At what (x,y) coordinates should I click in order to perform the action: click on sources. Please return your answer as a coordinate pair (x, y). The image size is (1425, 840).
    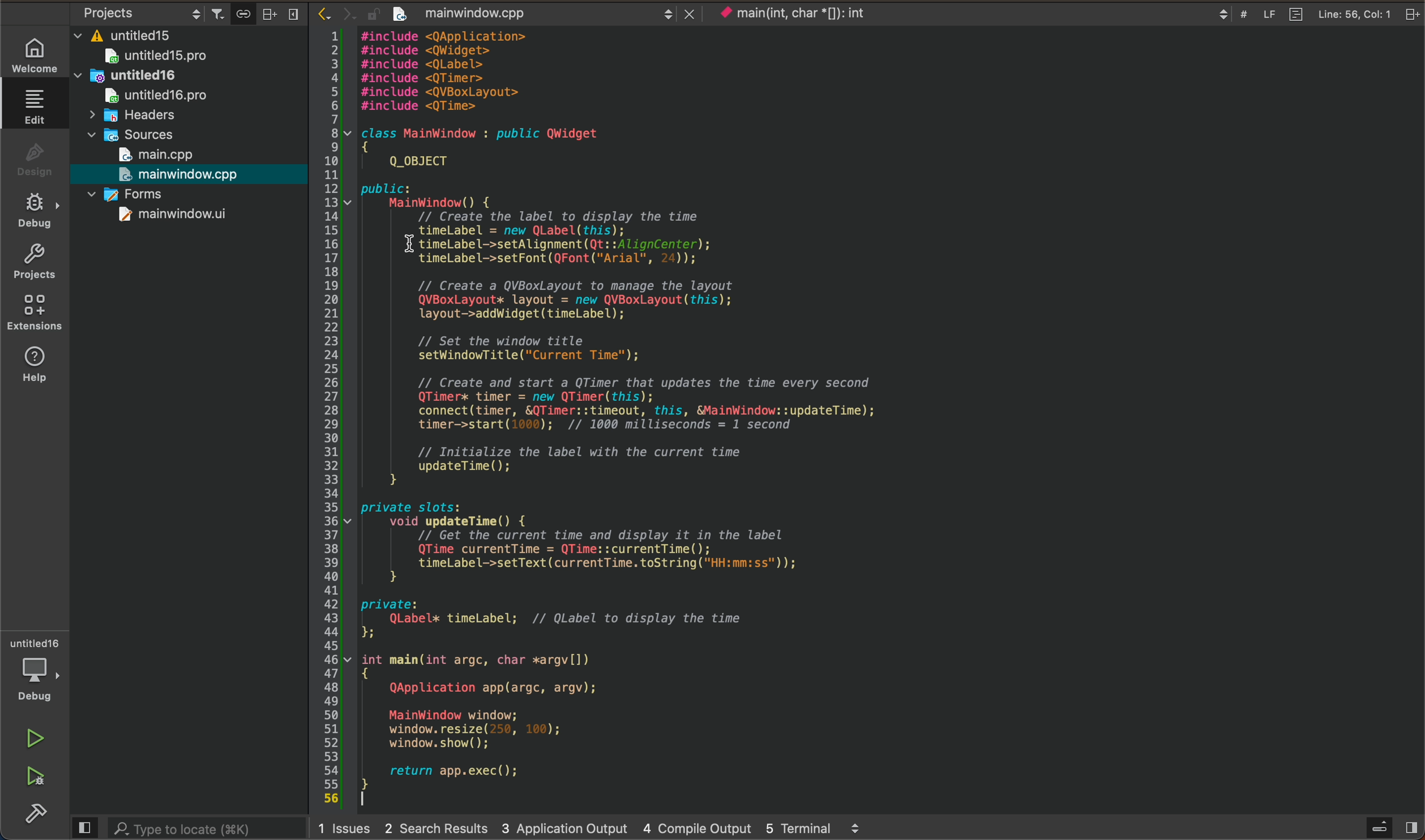
    Looking at the image, I should click on (139, 136).